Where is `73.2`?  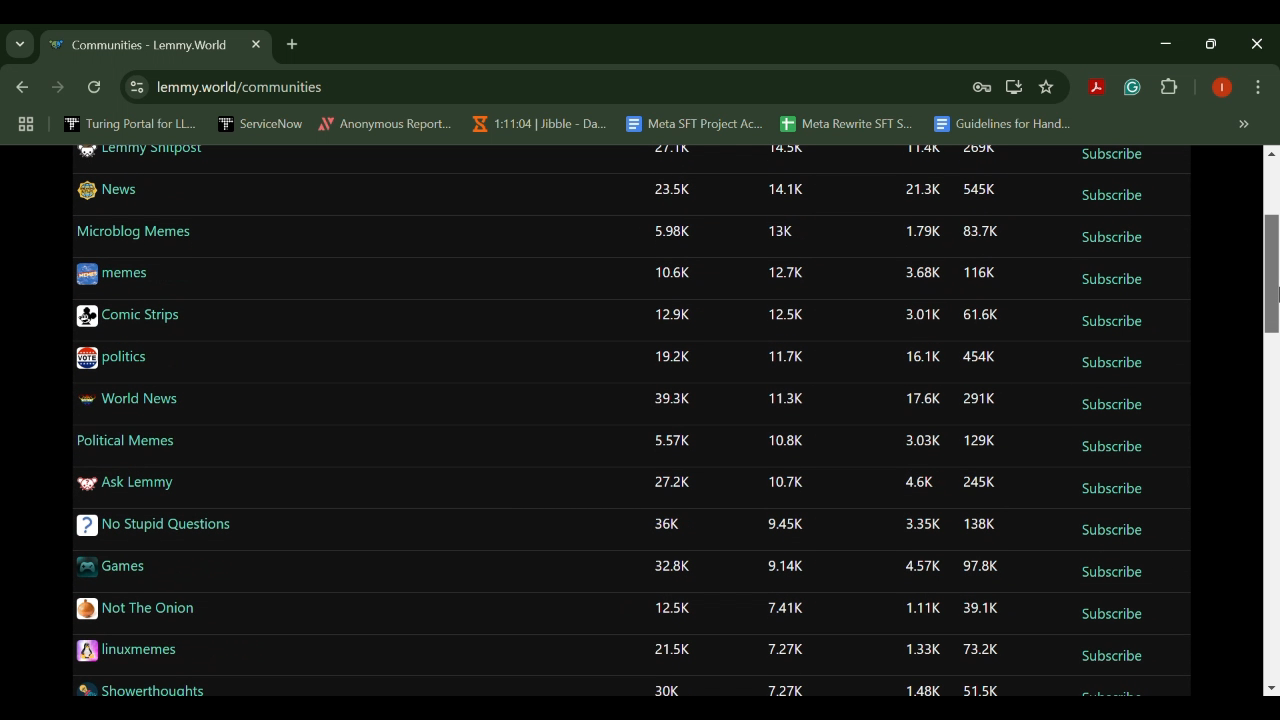 73.2 is located at coordinates (979, 651).